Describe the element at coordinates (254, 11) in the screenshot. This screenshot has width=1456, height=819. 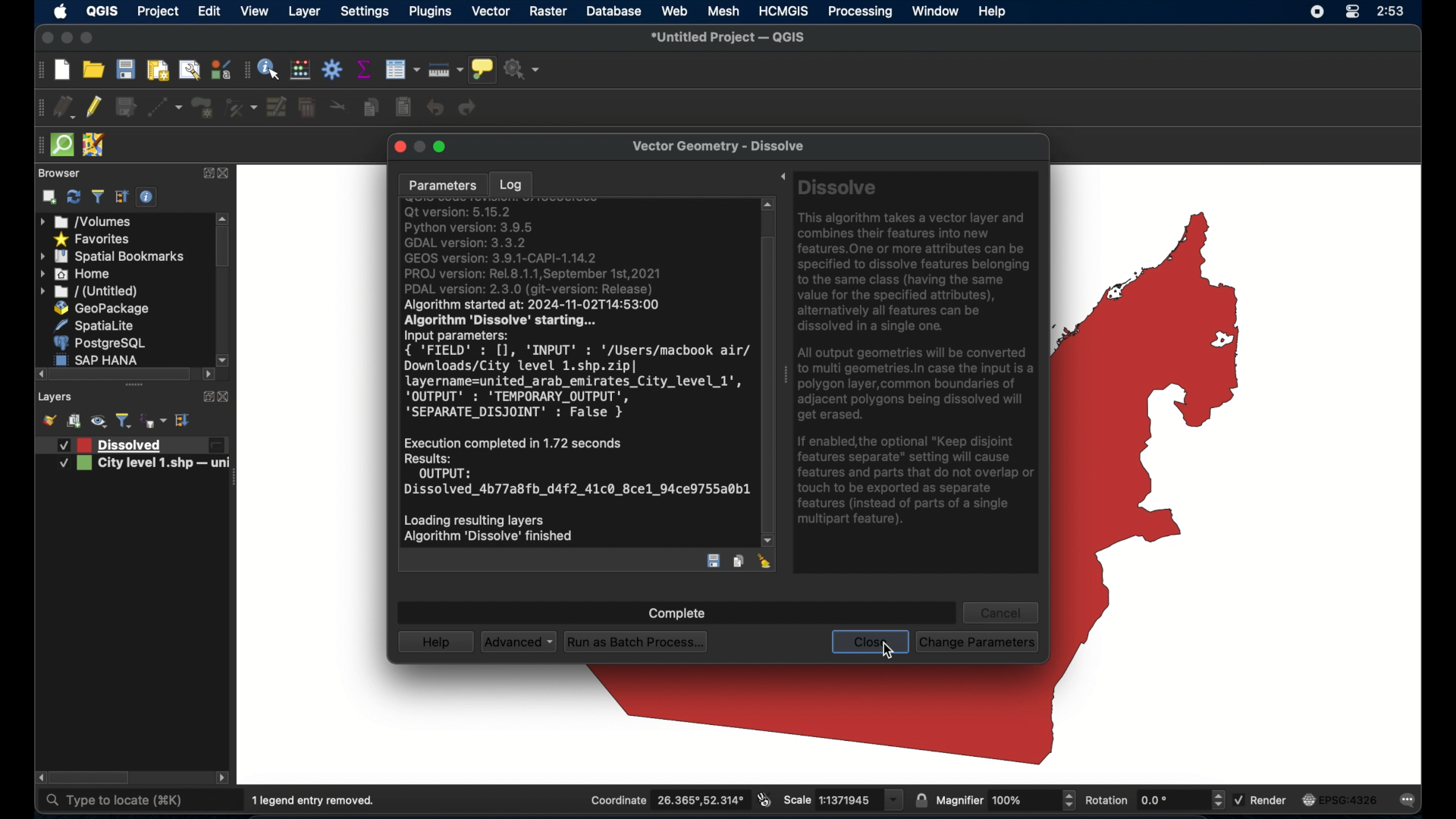
I see `view` at that location.